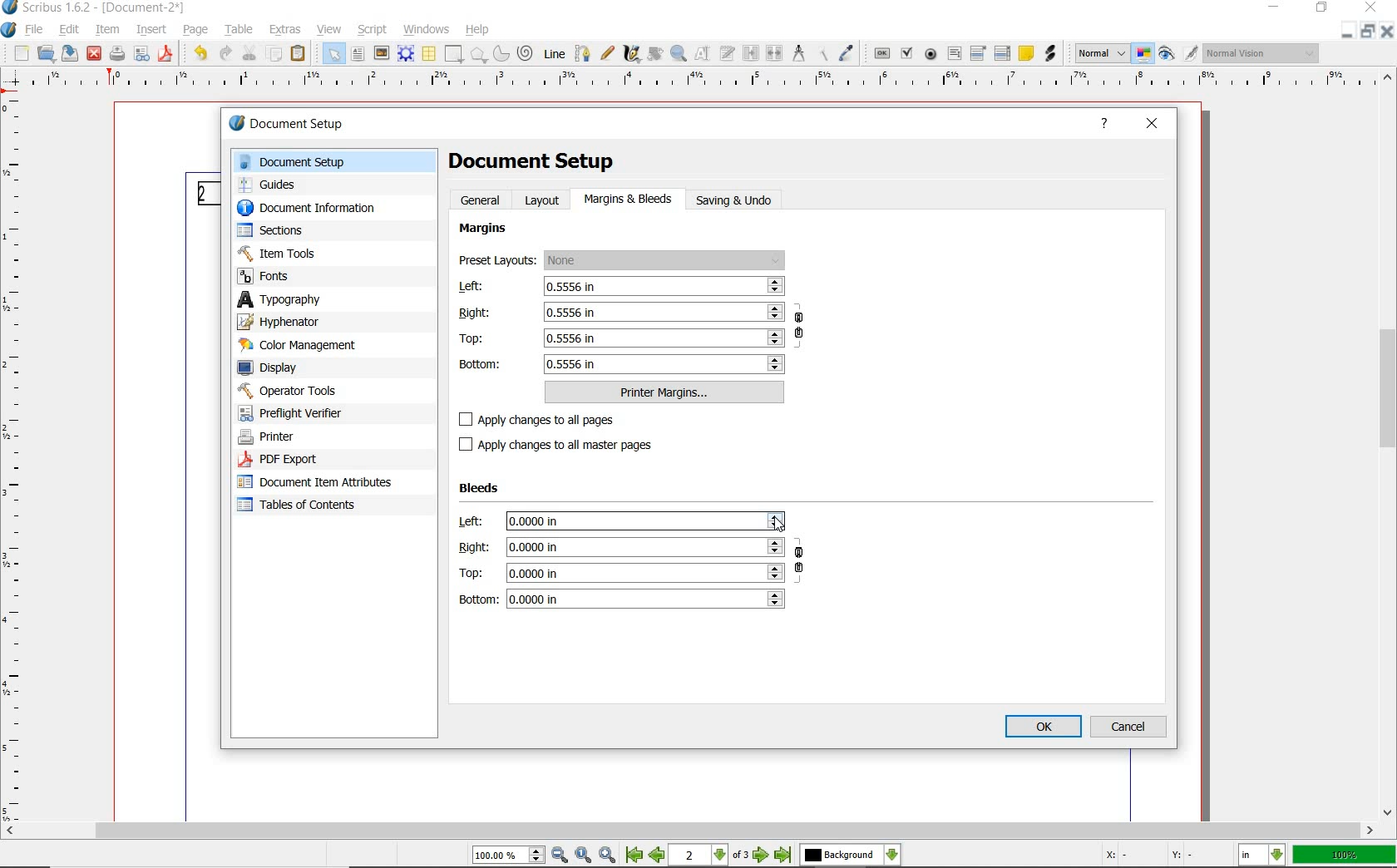 This screenshot has height=868, width=1397. What do you see at coordinates (198, 53) in the screenshot?
I see `undo` at bounding box center [198, 53].